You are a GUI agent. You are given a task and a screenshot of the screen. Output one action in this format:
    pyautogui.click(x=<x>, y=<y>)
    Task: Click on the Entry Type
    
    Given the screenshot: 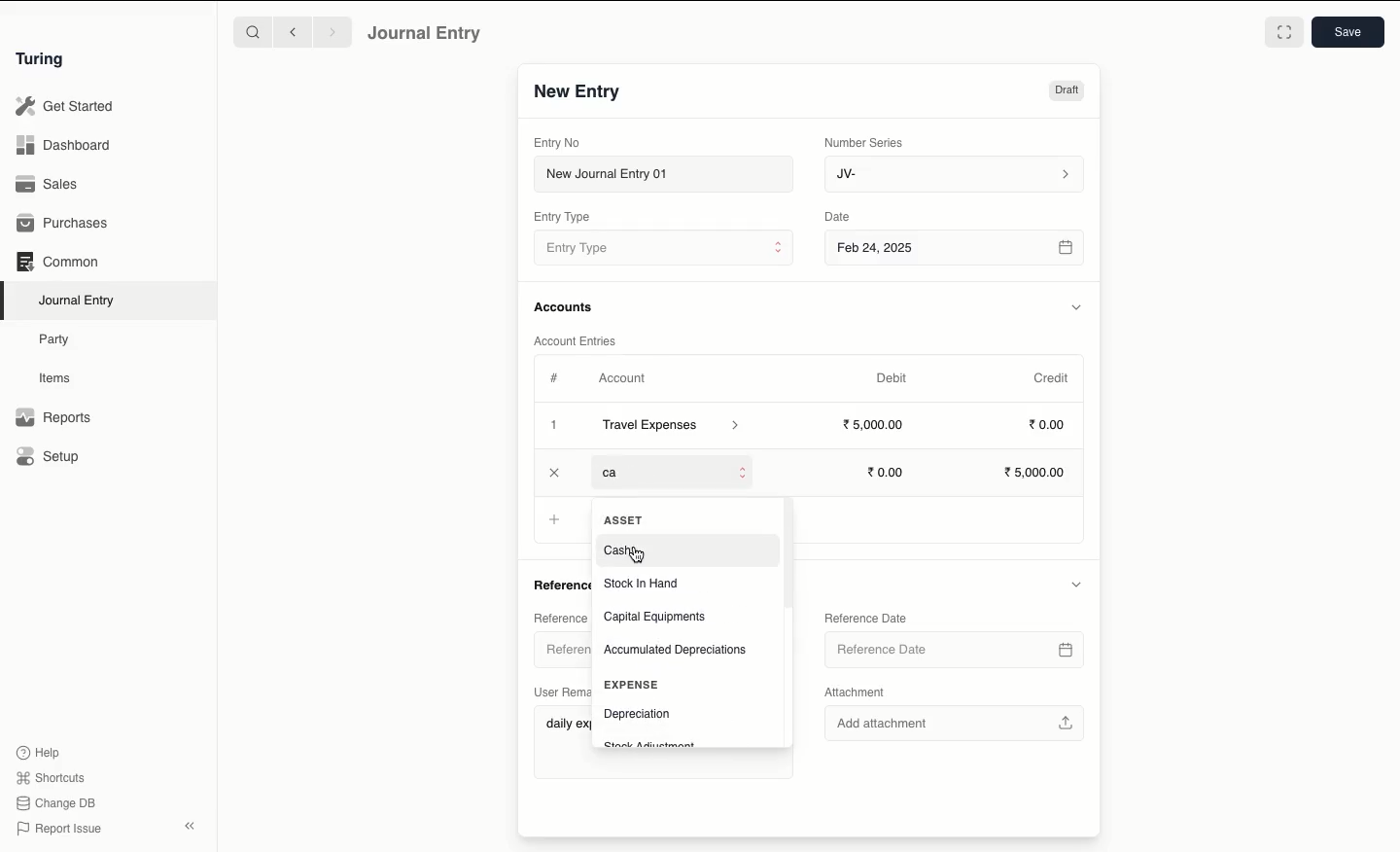 What is the action you would take?
    pyautogui.click(x=562, y=217)
    